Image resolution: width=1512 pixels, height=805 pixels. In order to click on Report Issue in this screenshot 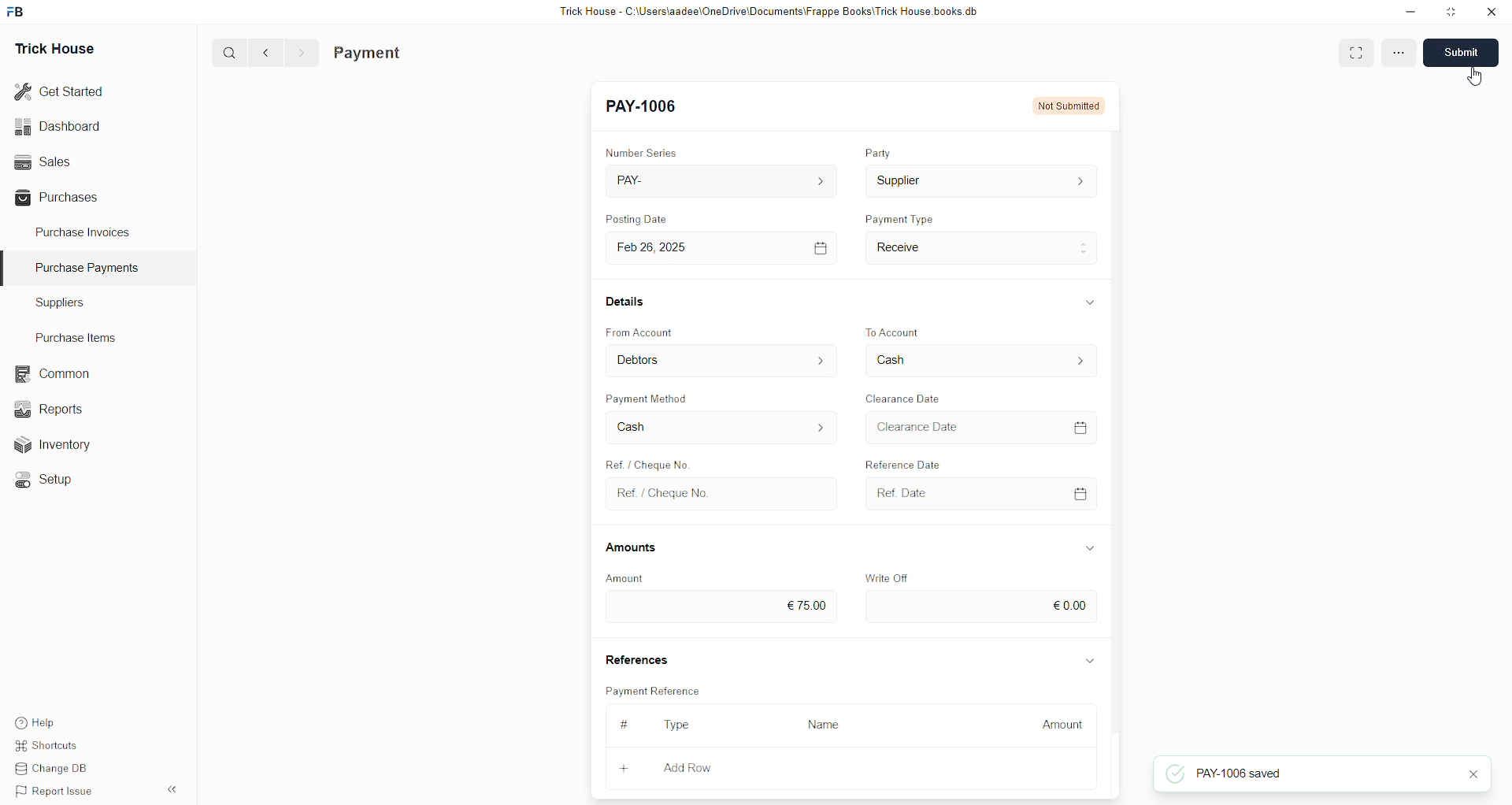, I will do `click(51, 789)`.